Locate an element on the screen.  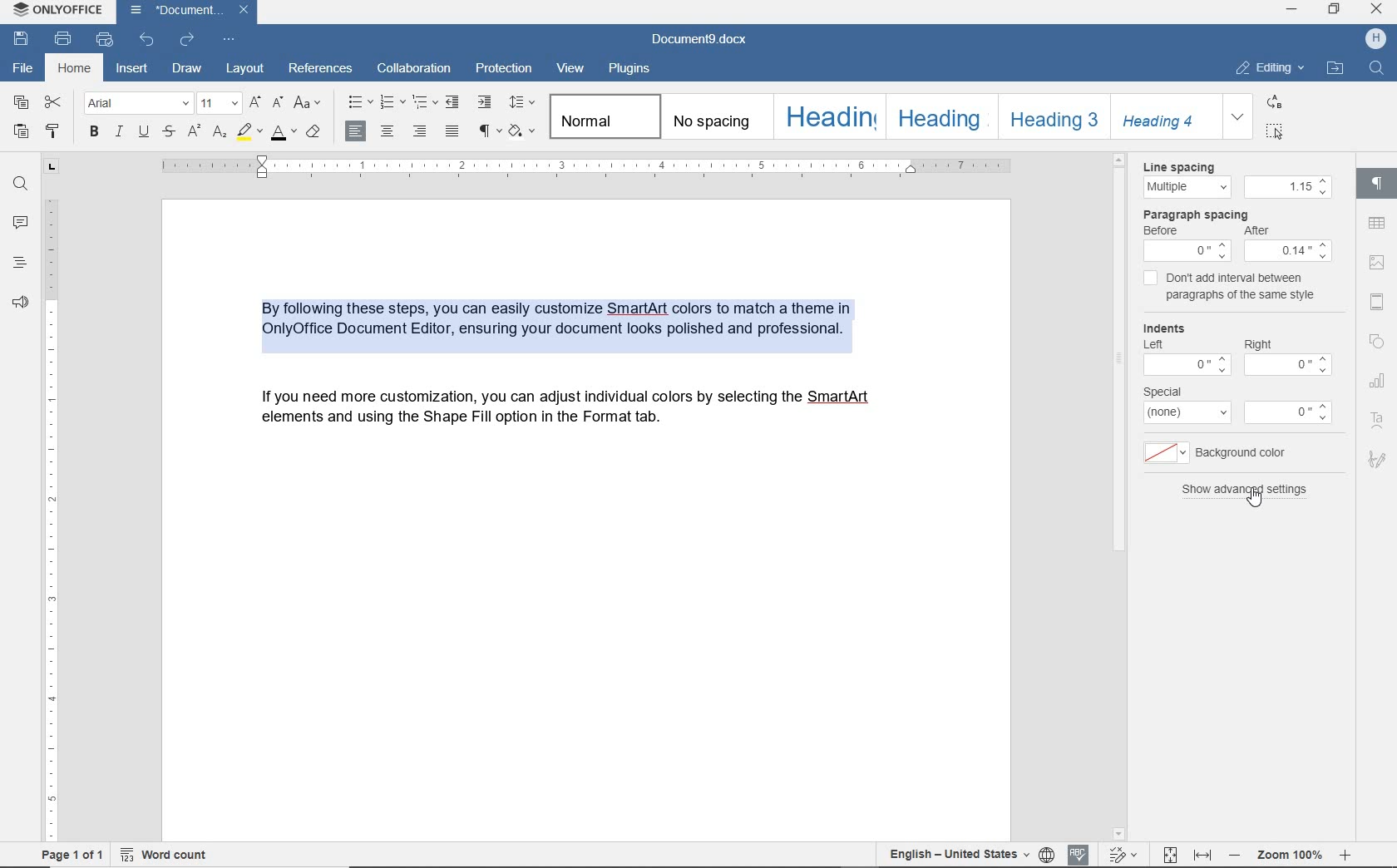
ruler is located at coordinates (51, 515).